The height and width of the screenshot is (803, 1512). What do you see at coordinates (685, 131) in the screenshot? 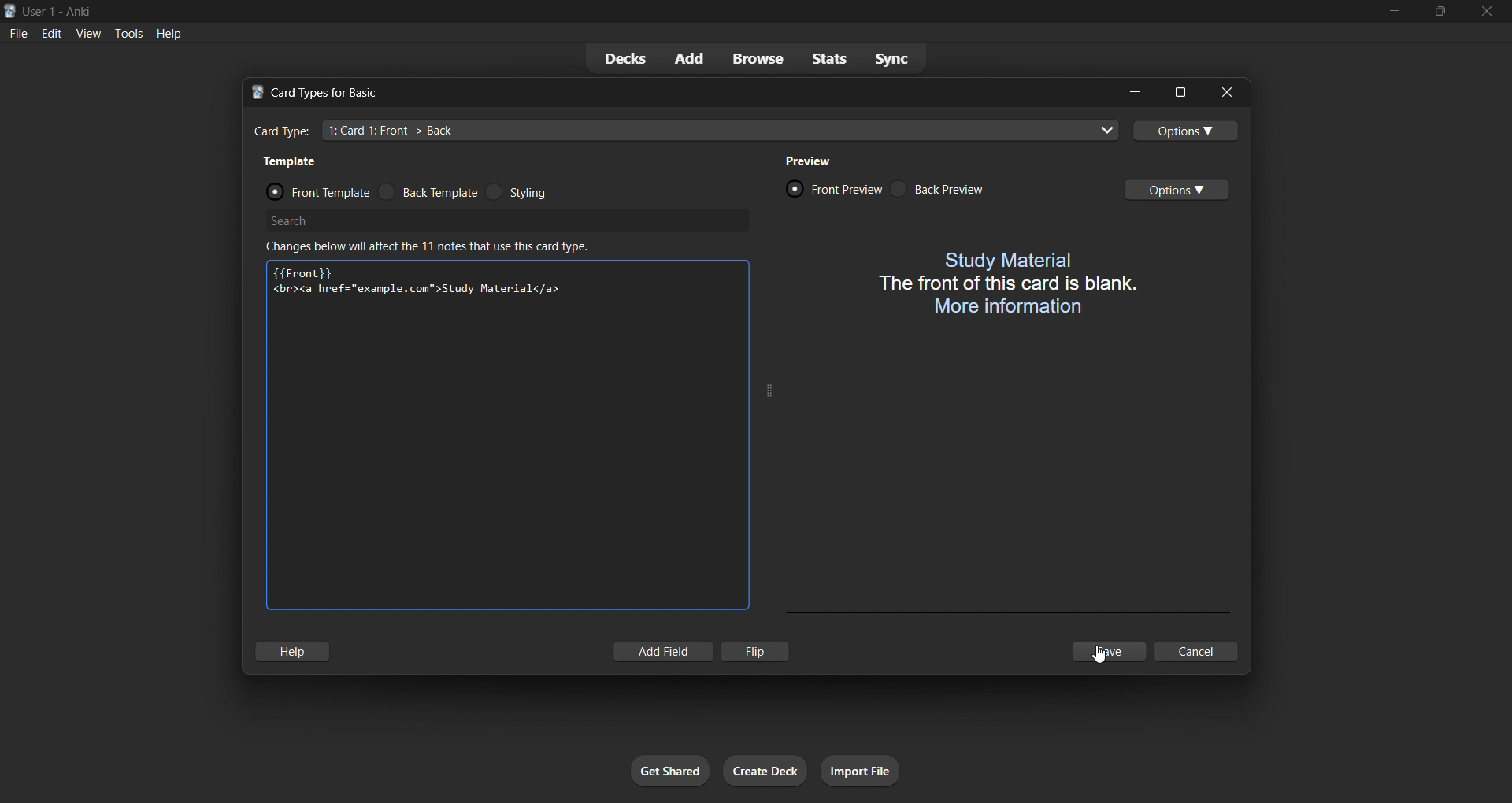
I see `card type input field` at bounding box center [685, 131].